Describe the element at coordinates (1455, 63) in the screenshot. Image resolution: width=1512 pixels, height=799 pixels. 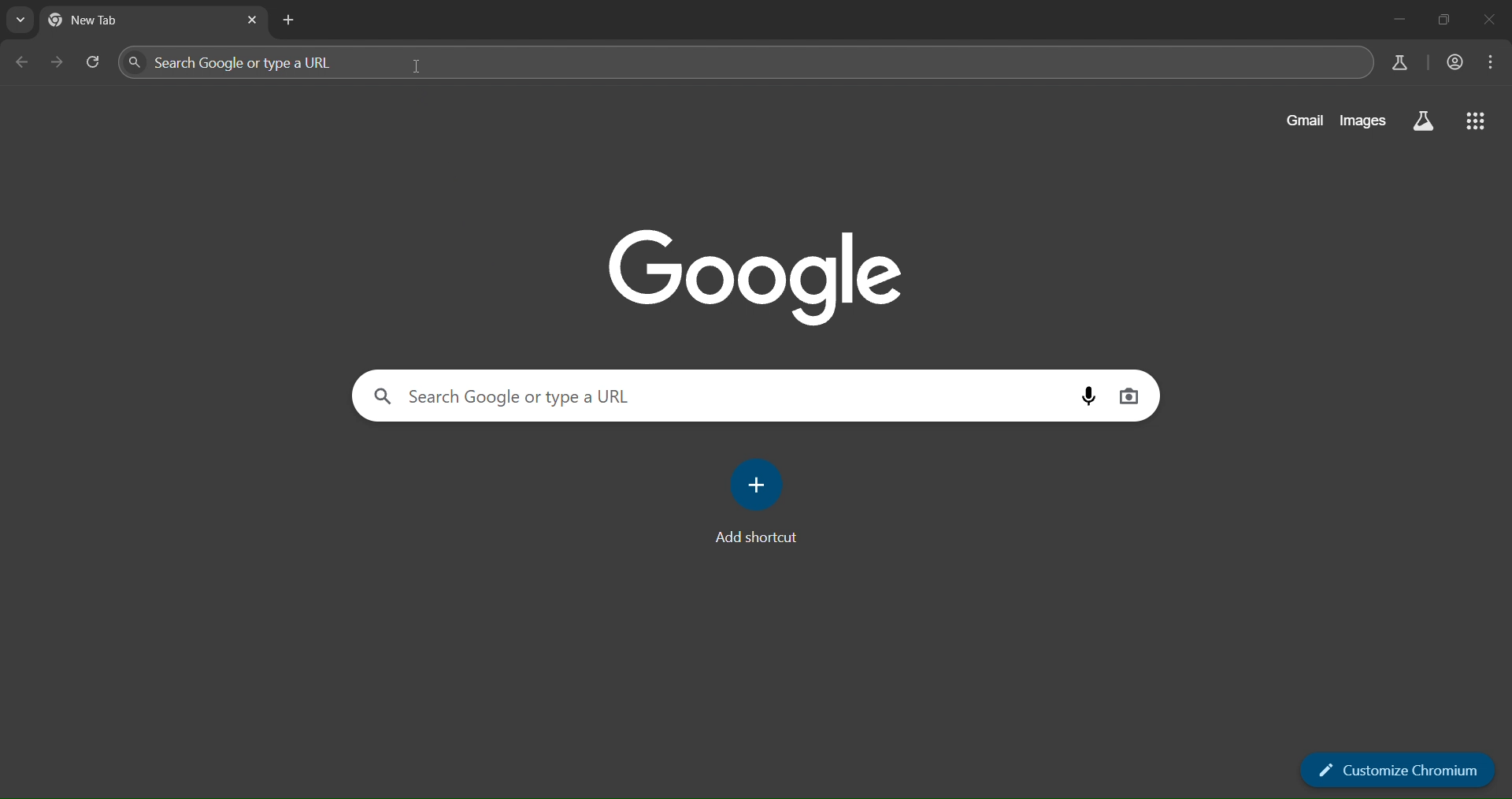
I see `account` at that location.